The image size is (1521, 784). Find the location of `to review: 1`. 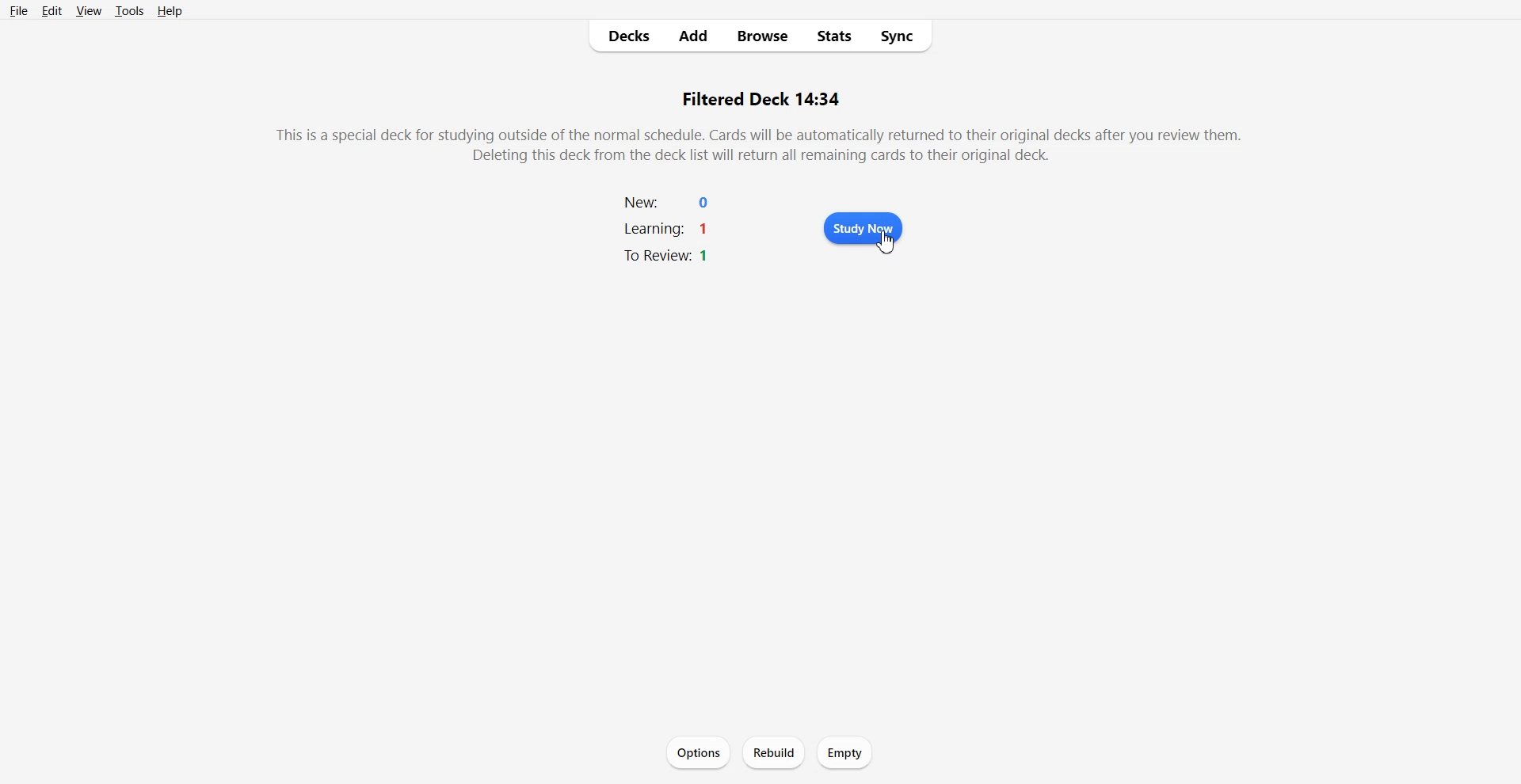

to review: 1 is located at coordinates (668, 255).